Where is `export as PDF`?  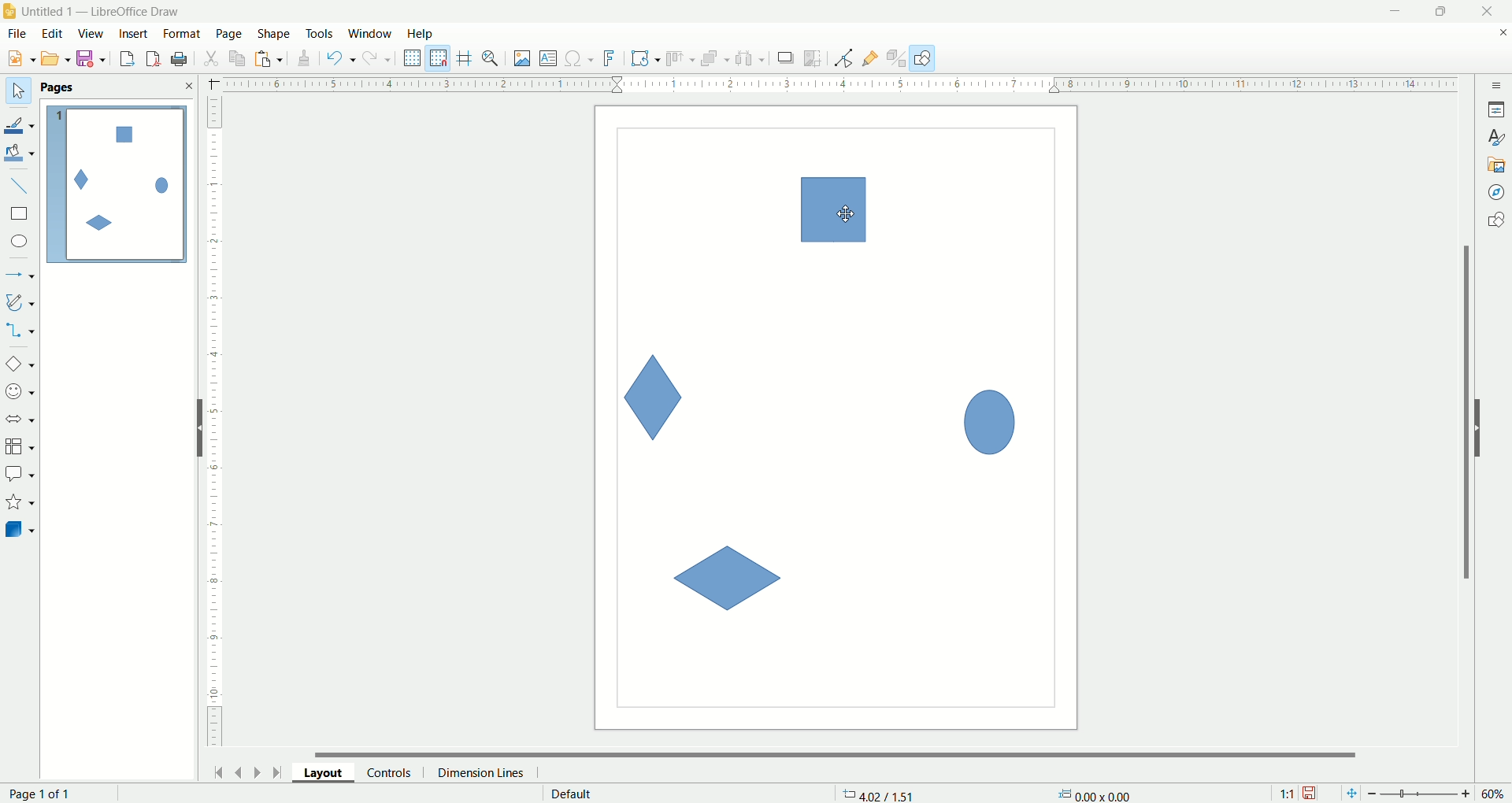 export as PDF is located at coordinates (181, 60).